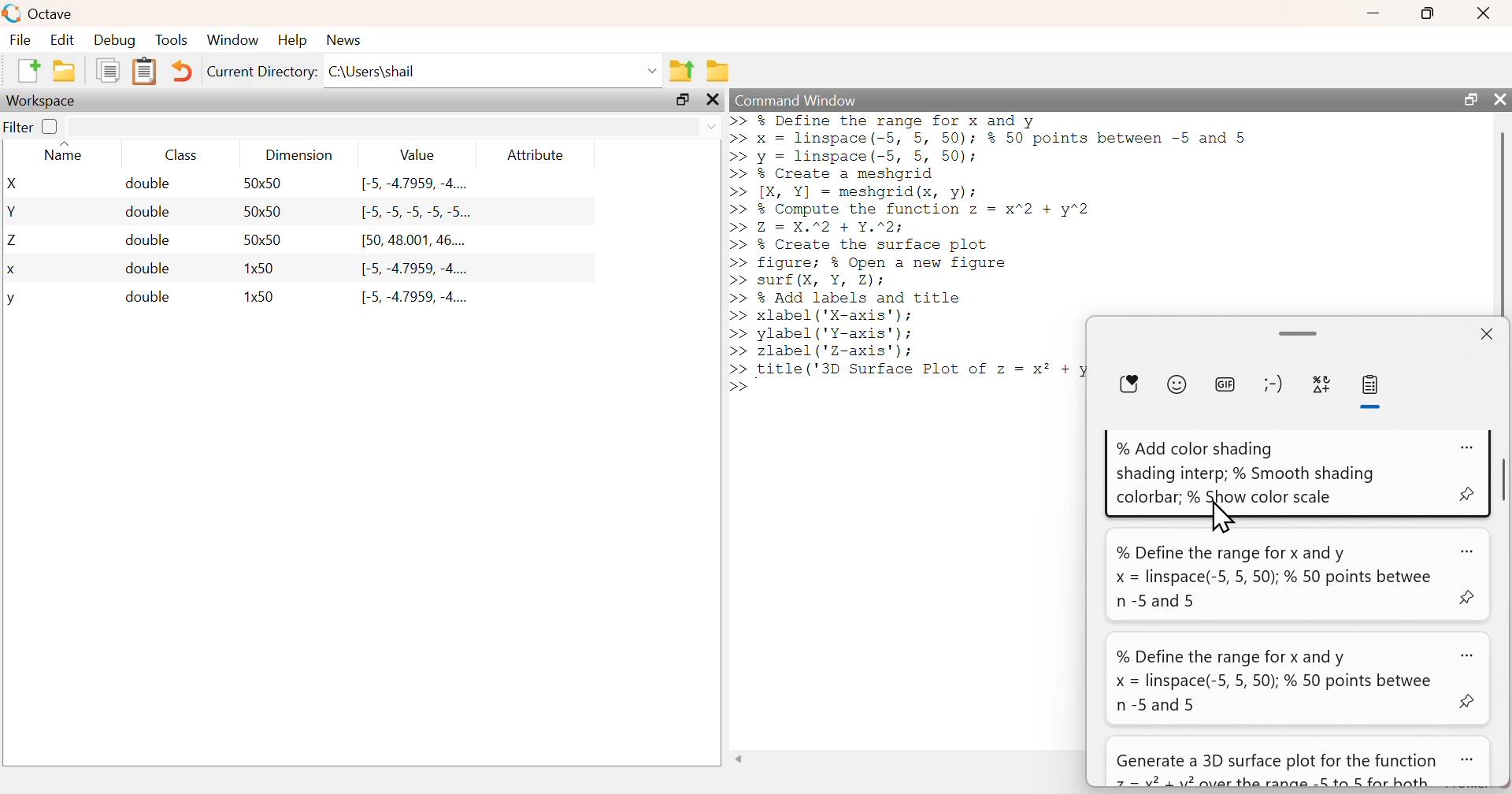 Image resolution: width=1512 pixels, height=794 pixels. What do you see at coordinates (147, 297) in the screenshot?
I see `double` at bounding box center [147, 297].